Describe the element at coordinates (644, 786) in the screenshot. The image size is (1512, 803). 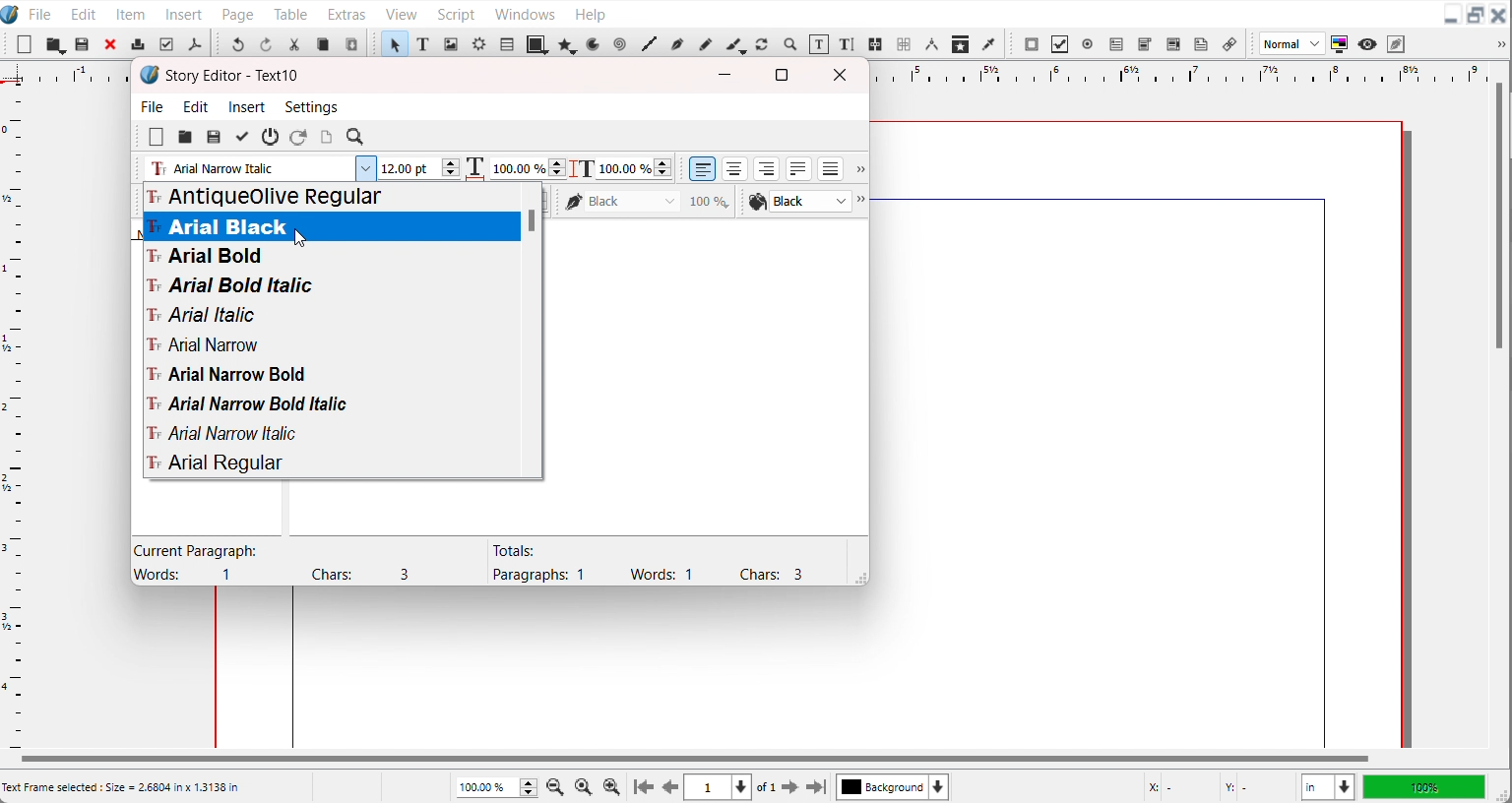
I see `Go to first page` at that location.